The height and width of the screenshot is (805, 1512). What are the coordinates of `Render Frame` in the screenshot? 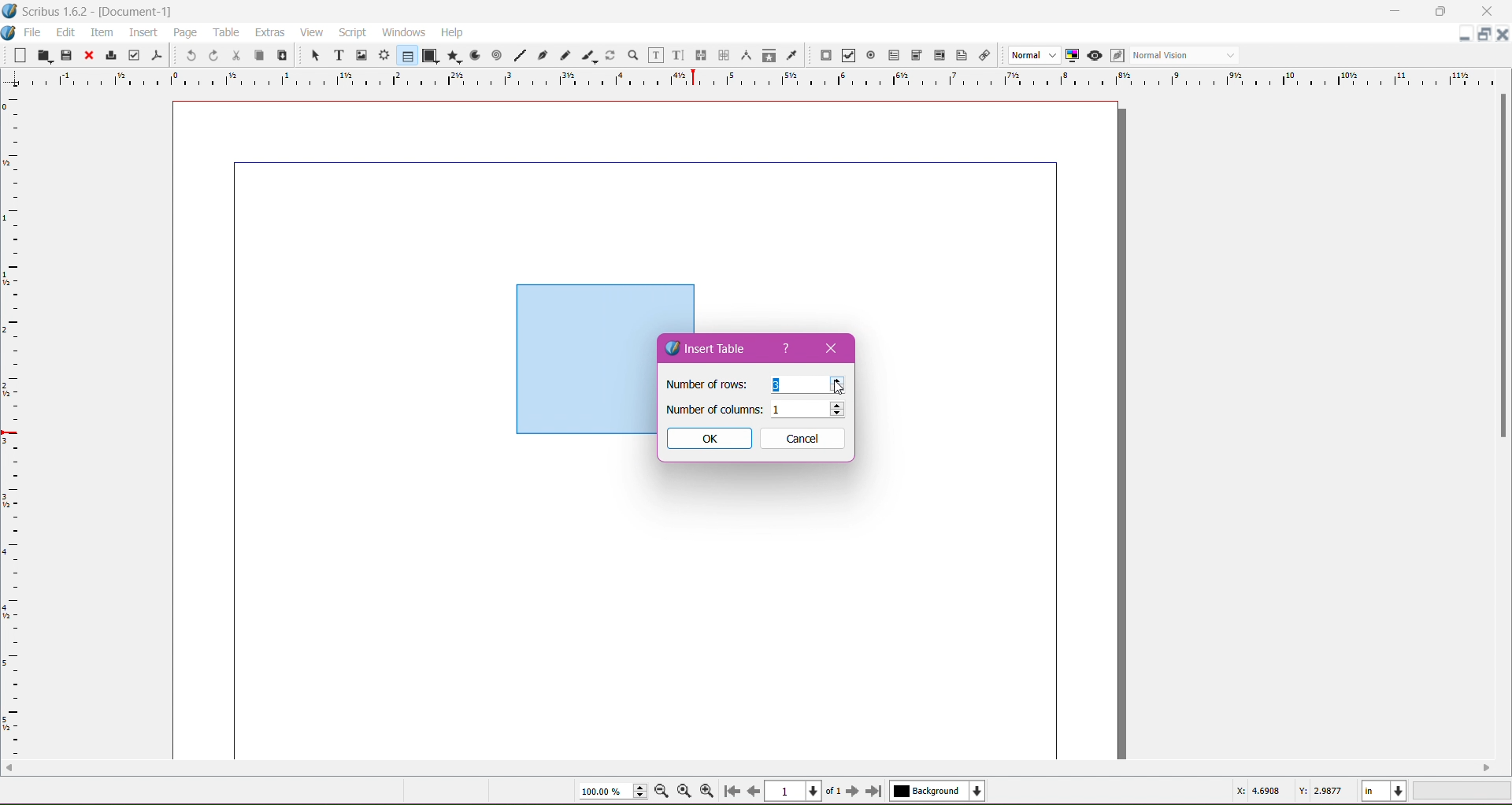 It's located at (384, 55).